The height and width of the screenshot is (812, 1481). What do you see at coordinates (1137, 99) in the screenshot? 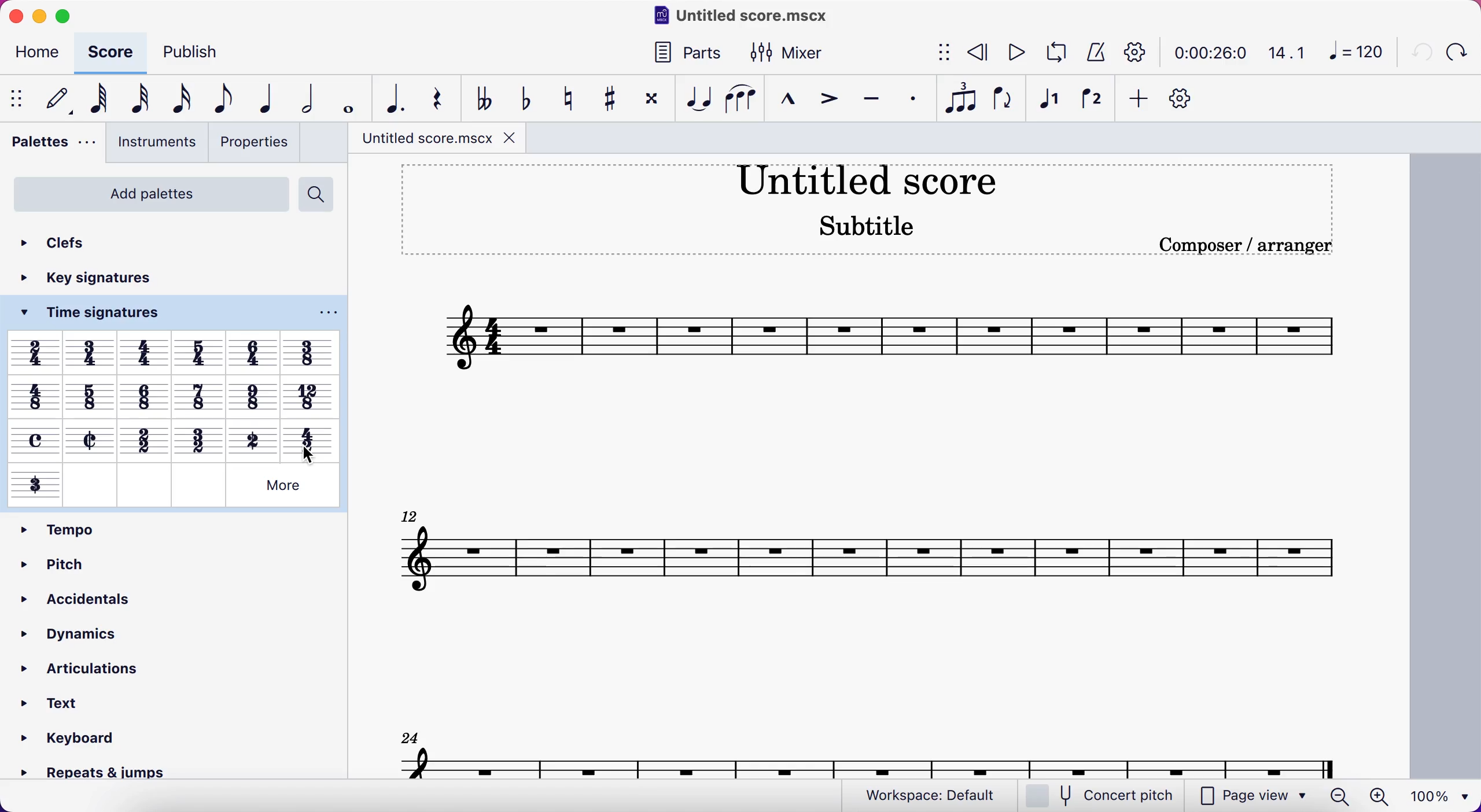
I see `add` at bounding box center [1137, 99].